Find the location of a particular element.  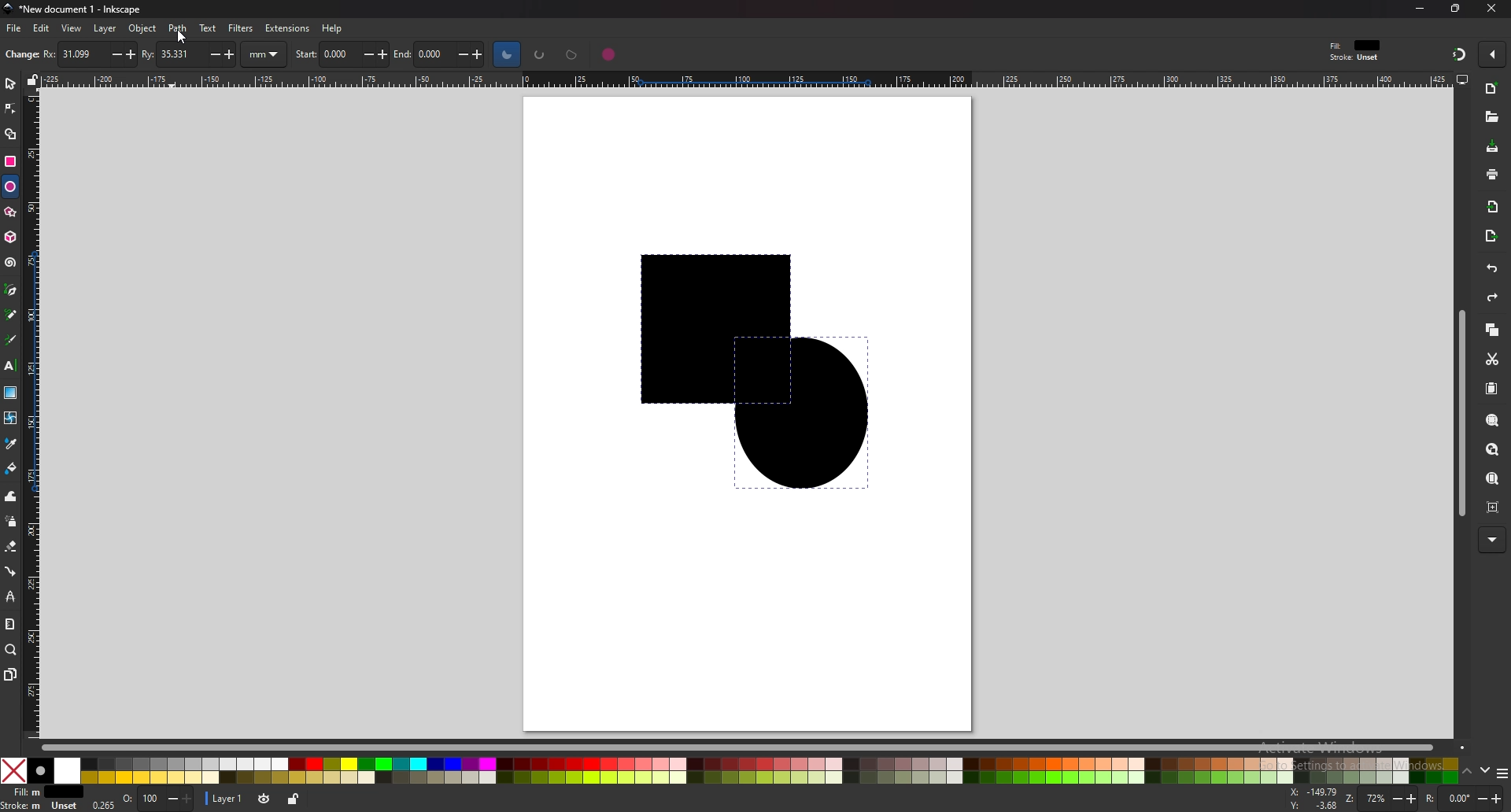

save is located at coordinates (1491, 146).